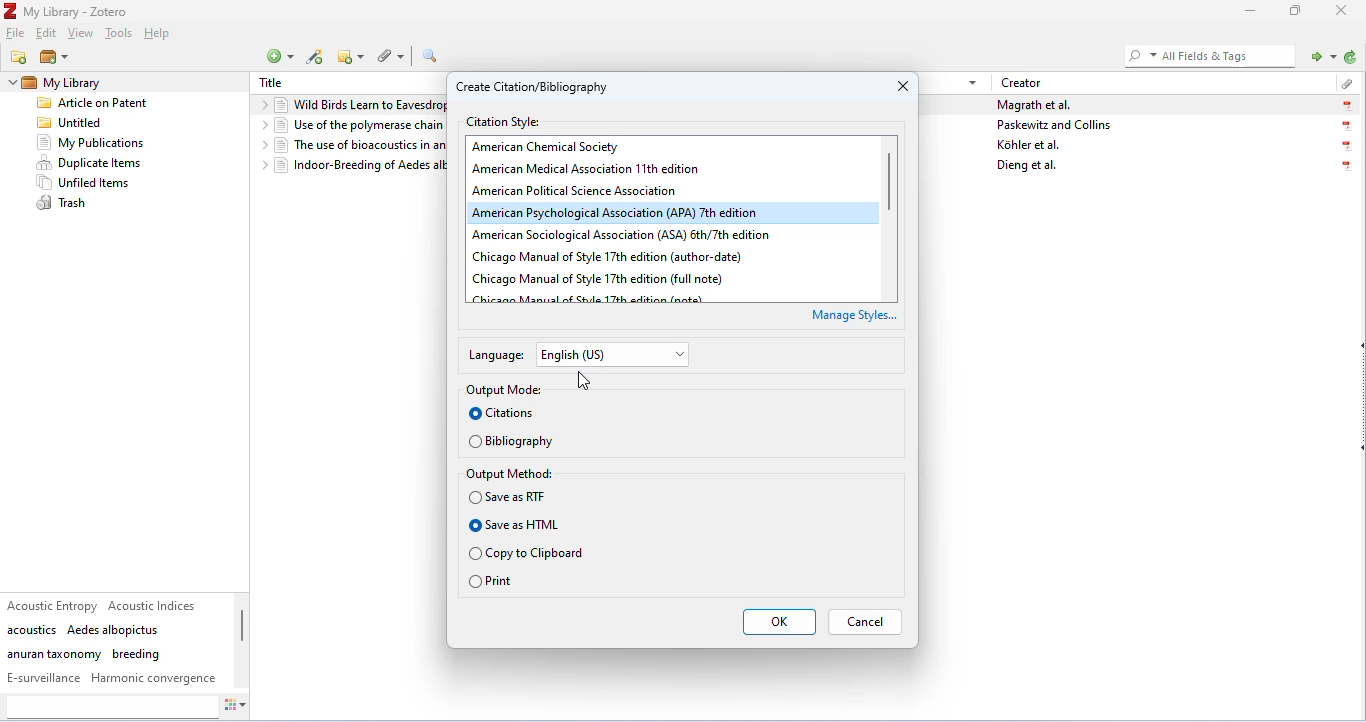  I want to click on edit, so click(45, 35).